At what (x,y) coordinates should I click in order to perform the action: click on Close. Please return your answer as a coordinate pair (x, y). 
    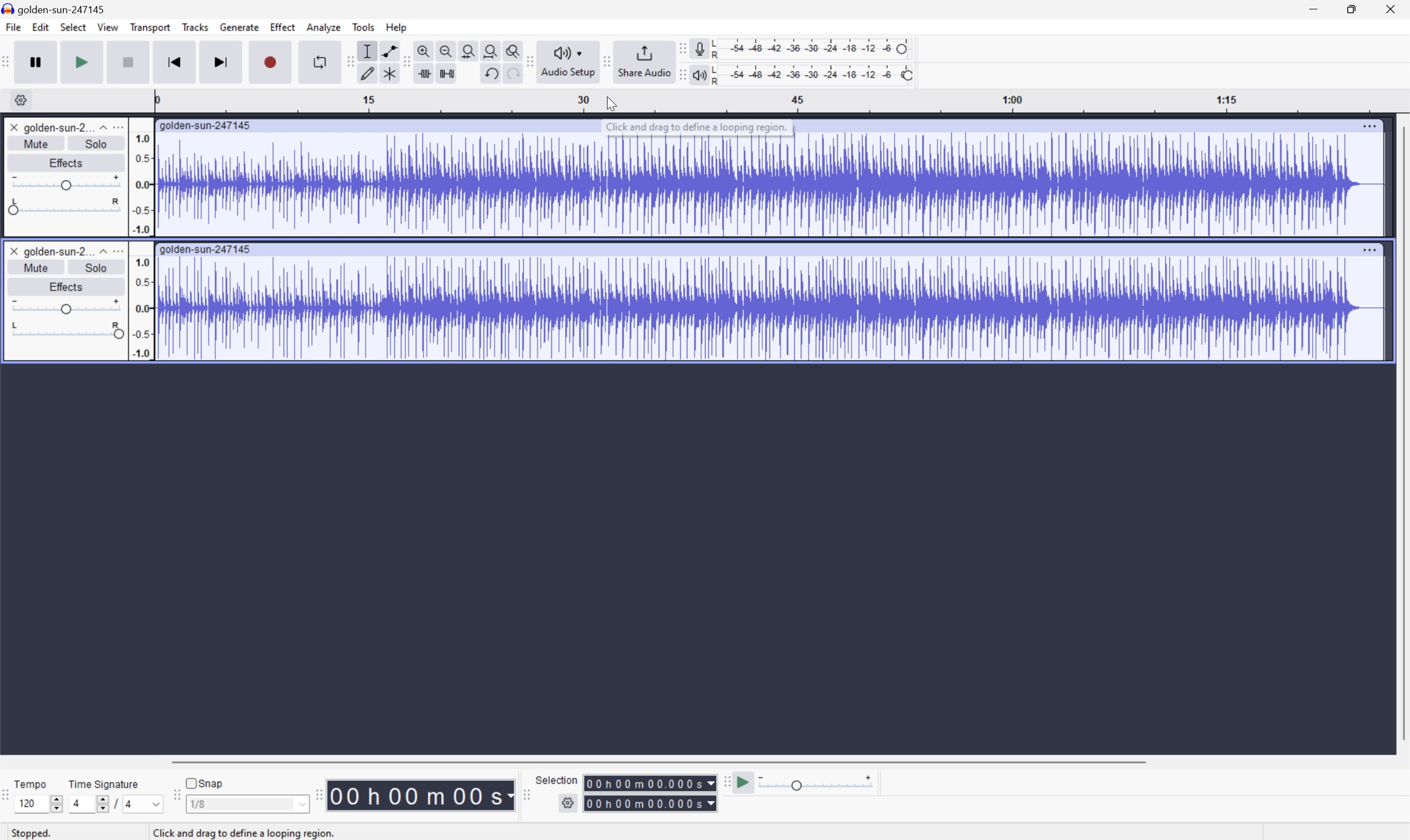
    Looking at the image, I should click on (1396, 8).